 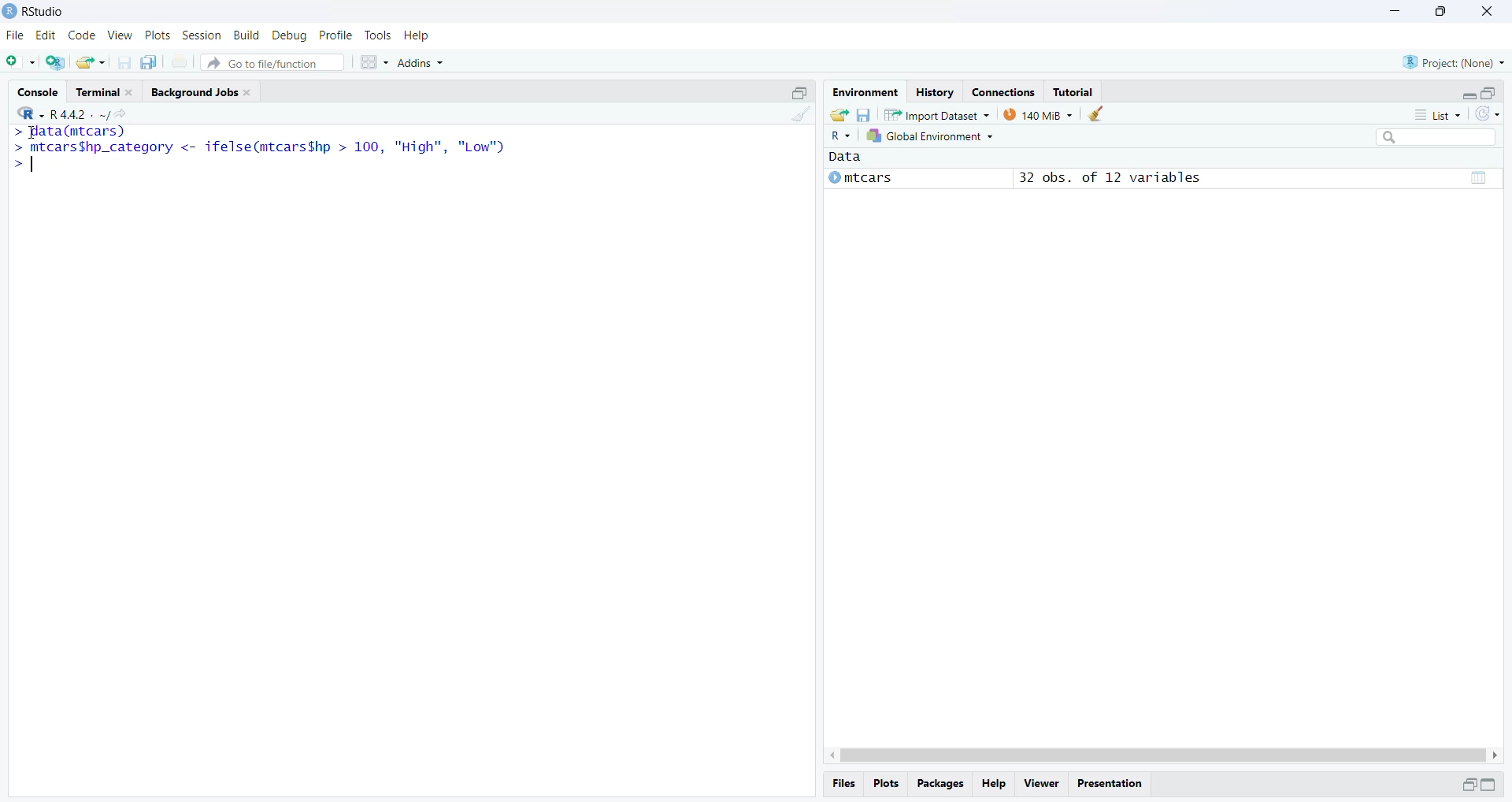 What do you see at coordinates (801, 91) in the screenshot?
I see `Maximize` at bounding box center [801, 91].